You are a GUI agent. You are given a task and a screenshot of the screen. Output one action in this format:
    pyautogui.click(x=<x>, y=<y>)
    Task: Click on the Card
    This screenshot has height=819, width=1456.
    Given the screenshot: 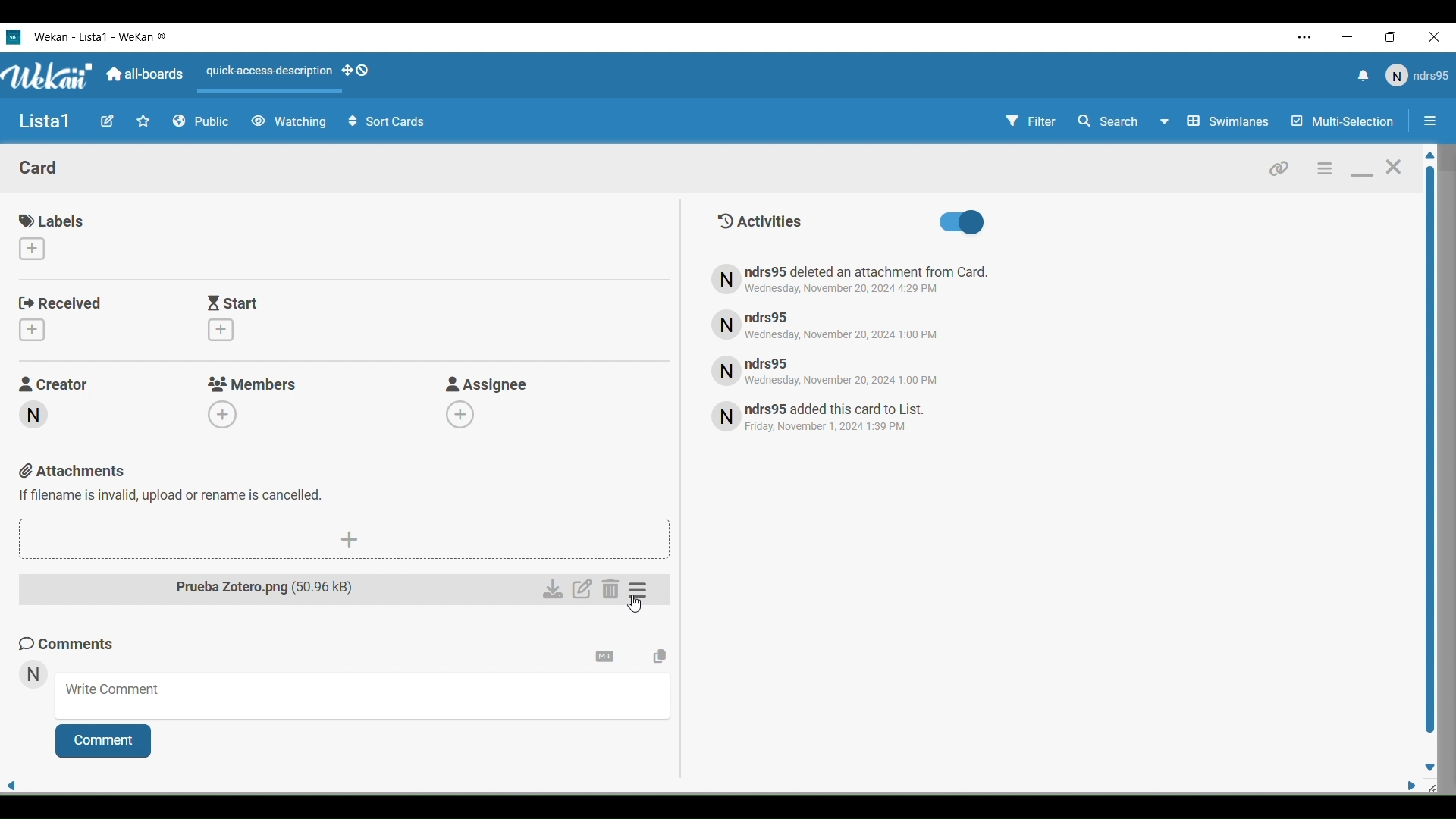 What is the action you would take?
    pyautogui.click(x=39, y=167)
    